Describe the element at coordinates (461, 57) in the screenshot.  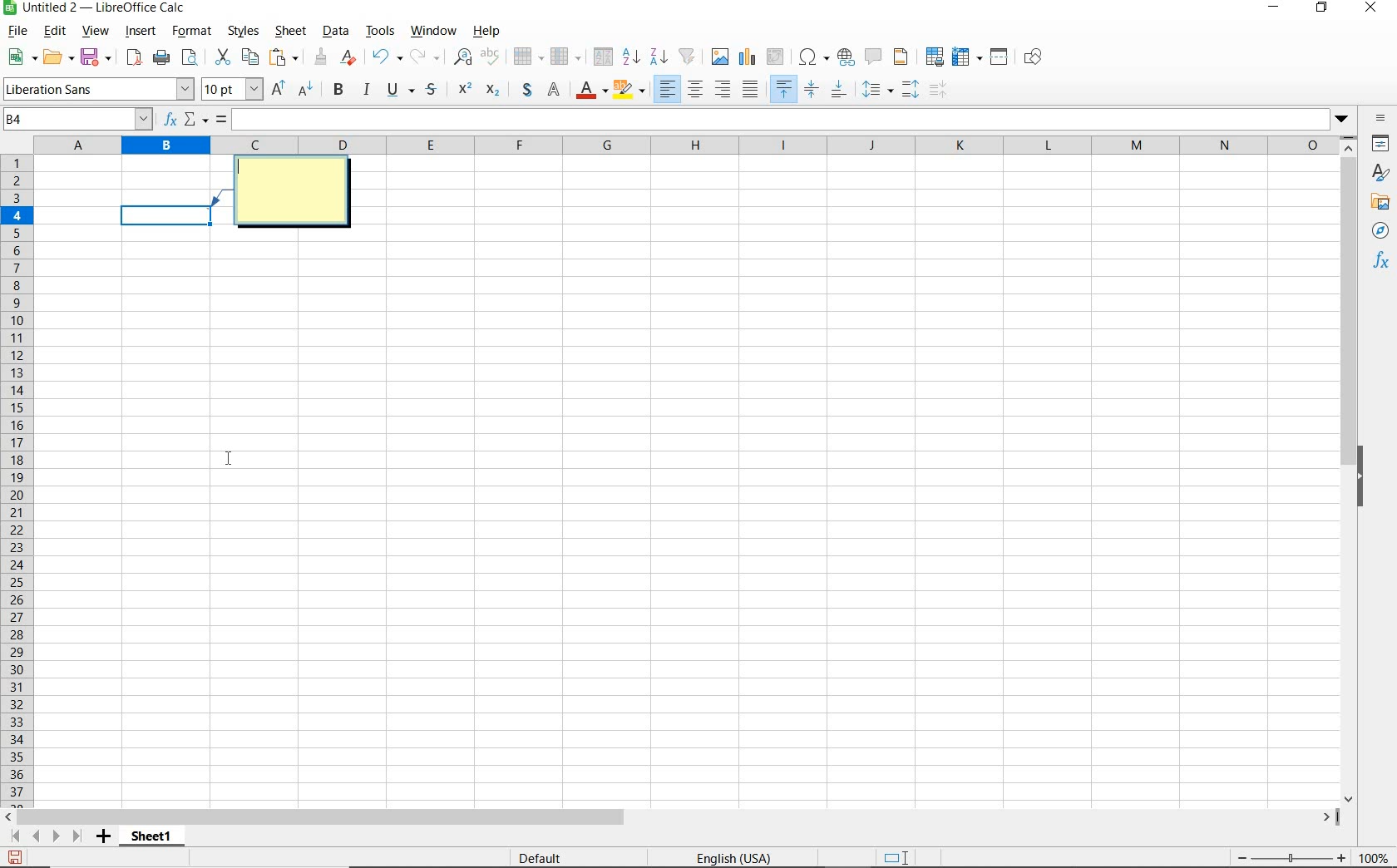
I see `find and replace` at that location.